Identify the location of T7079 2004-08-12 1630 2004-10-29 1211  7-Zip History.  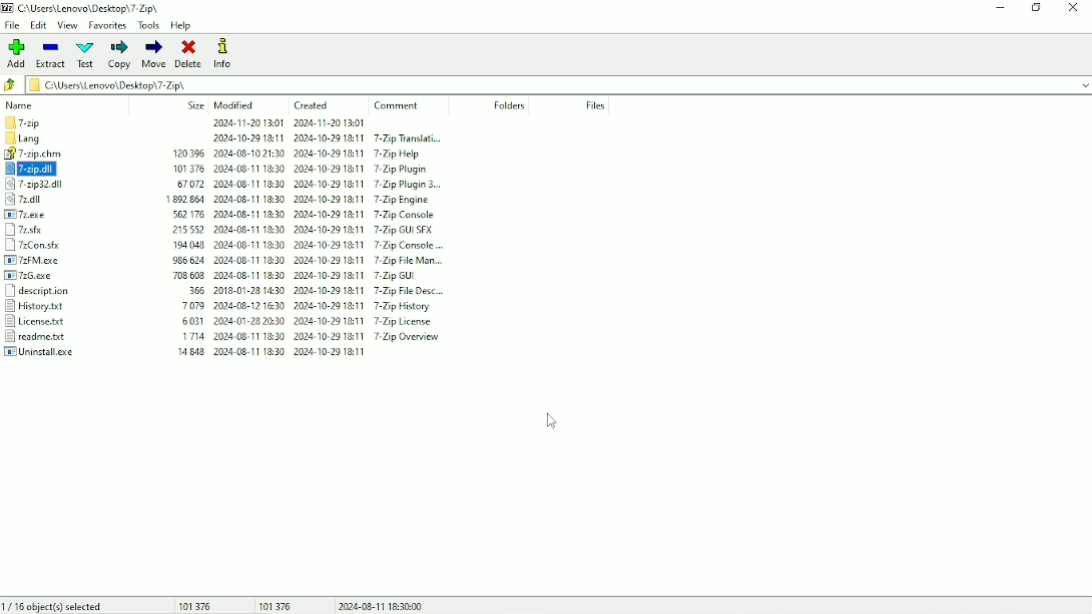
(305, 304).